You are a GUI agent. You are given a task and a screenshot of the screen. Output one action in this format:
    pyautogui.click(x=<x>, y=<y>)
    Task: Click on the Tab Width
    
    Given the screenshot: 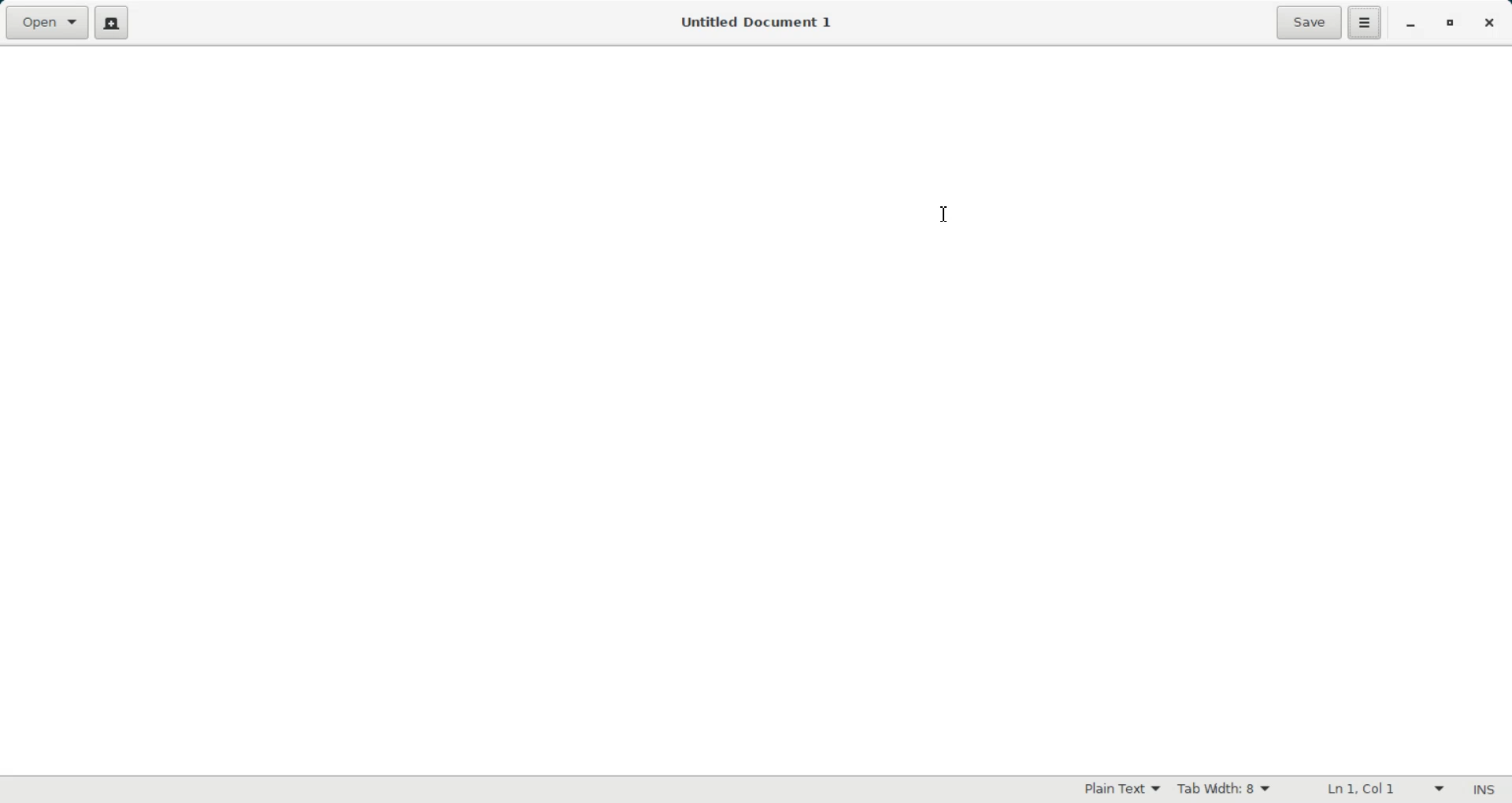 What is the action you would take?
    pyautogui.click(x=1224, y=790)
    